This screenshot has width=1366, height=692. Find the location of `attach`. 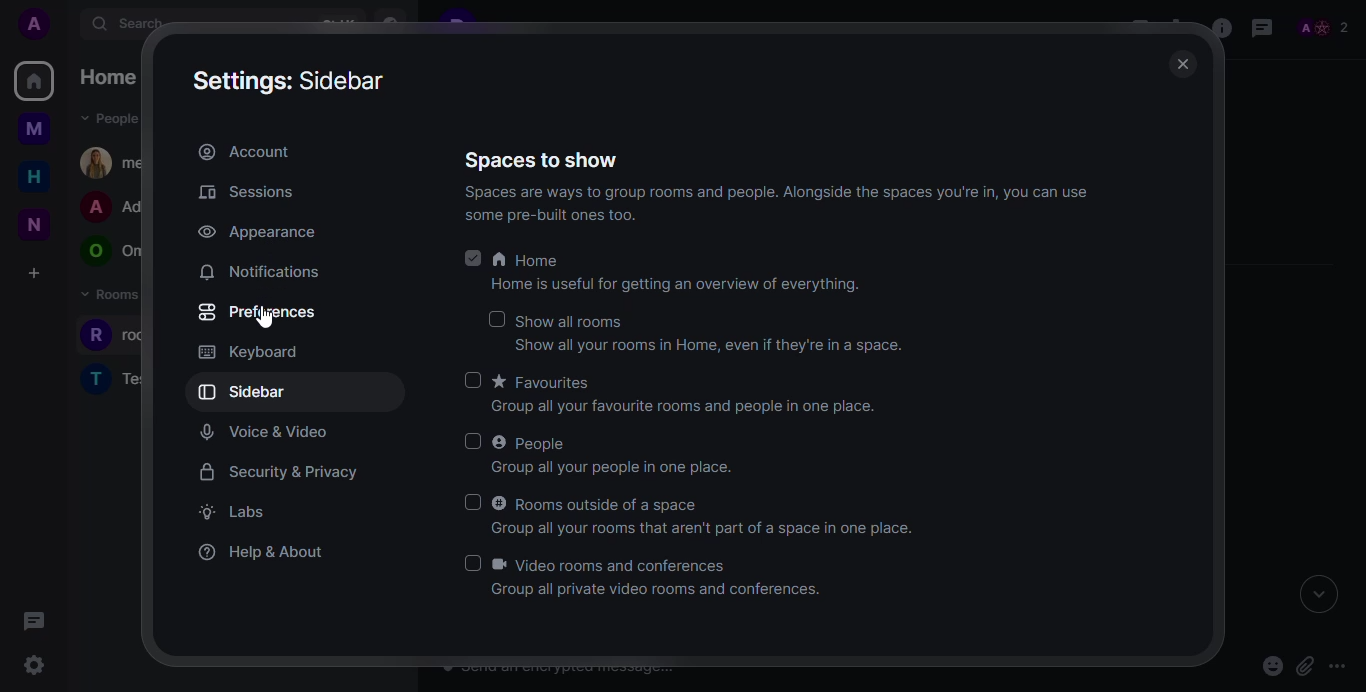

attach is located at coordinates (1307, 667).